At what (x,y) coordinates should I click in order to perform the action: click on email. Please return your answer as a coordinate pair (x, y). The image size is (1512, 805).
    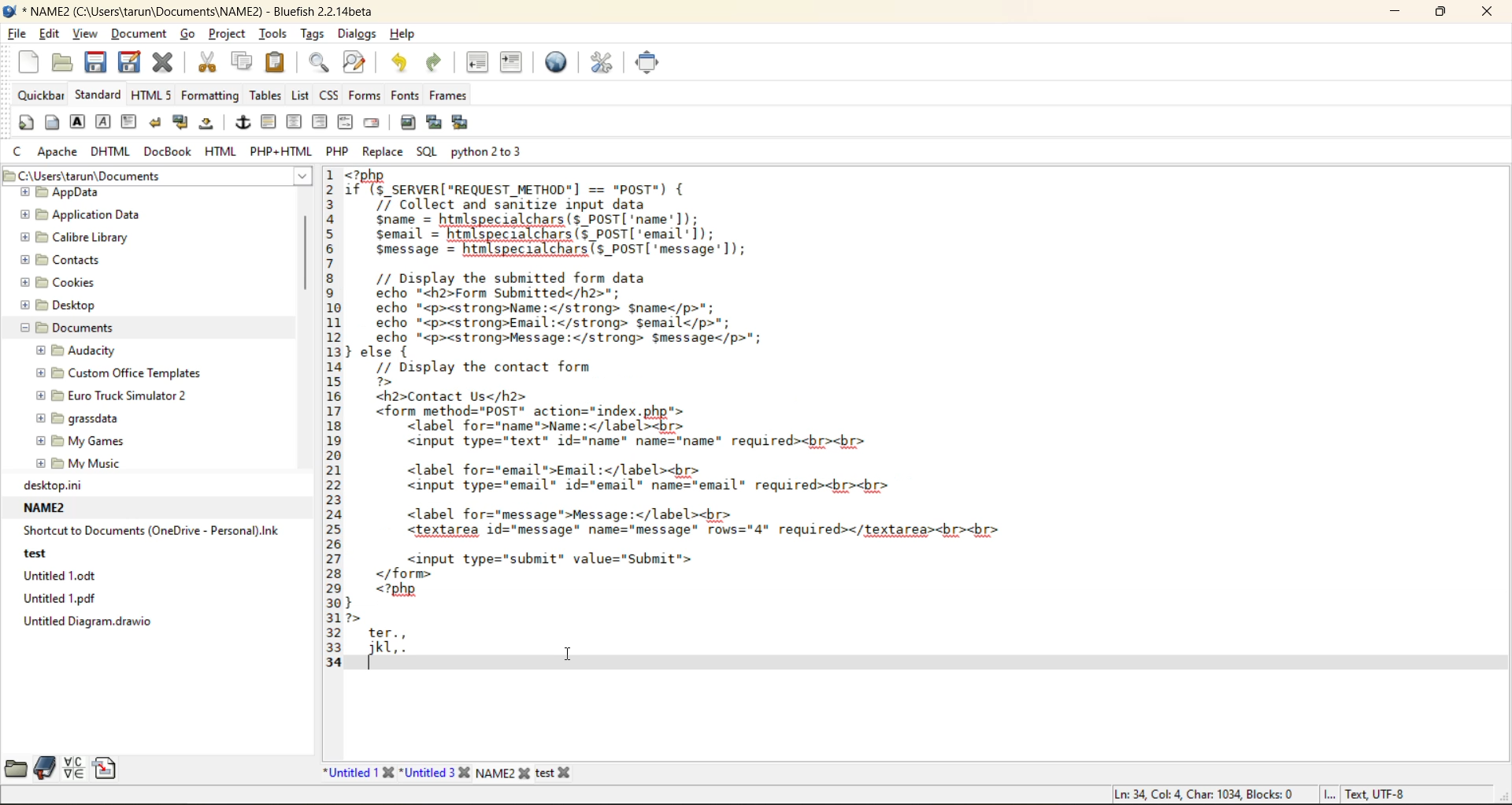
    Looking at the image, I should click on (372, 122).